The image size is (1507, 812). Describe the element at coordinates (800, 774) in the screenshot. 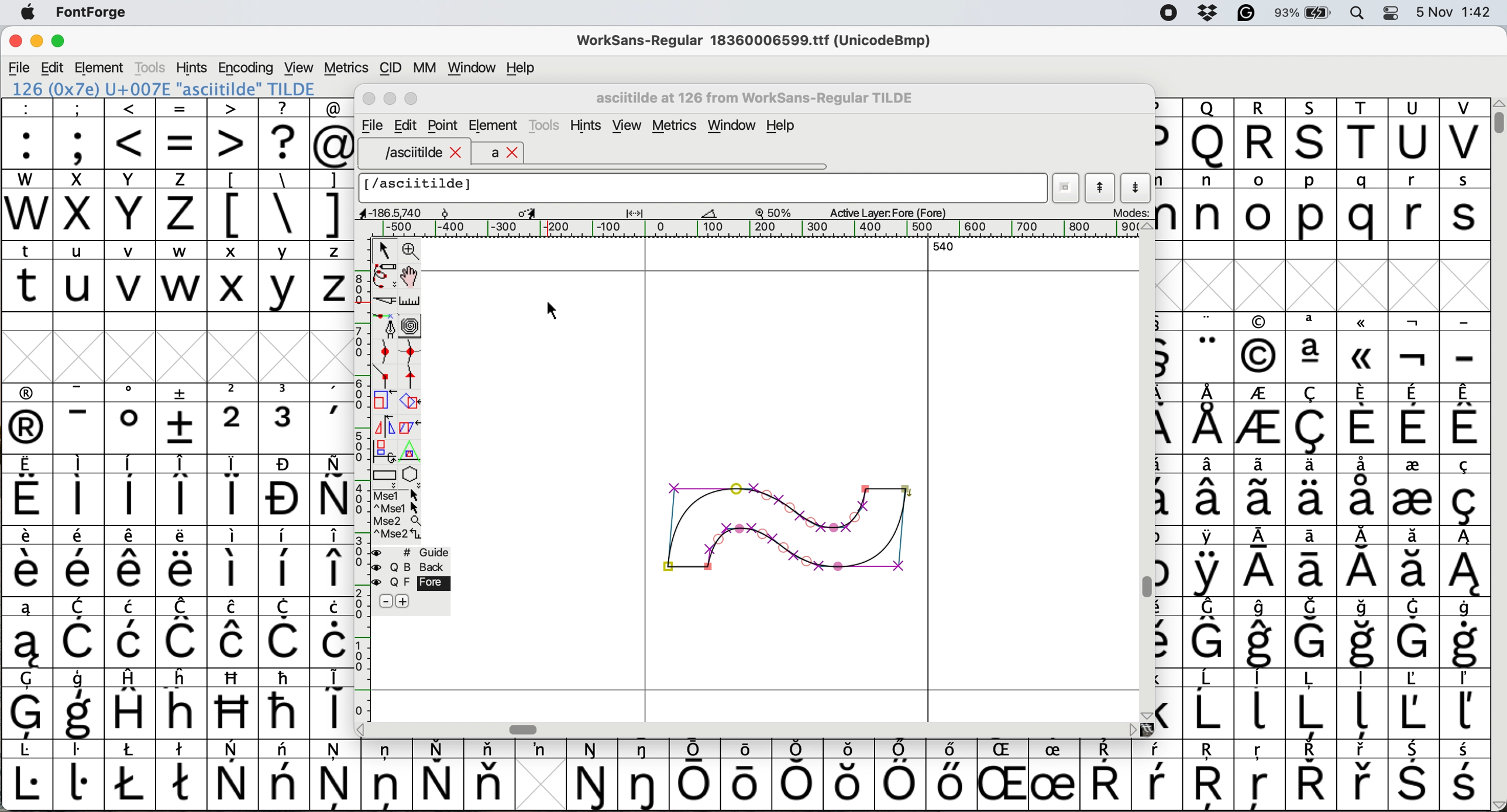

I see `symbol` at that location.